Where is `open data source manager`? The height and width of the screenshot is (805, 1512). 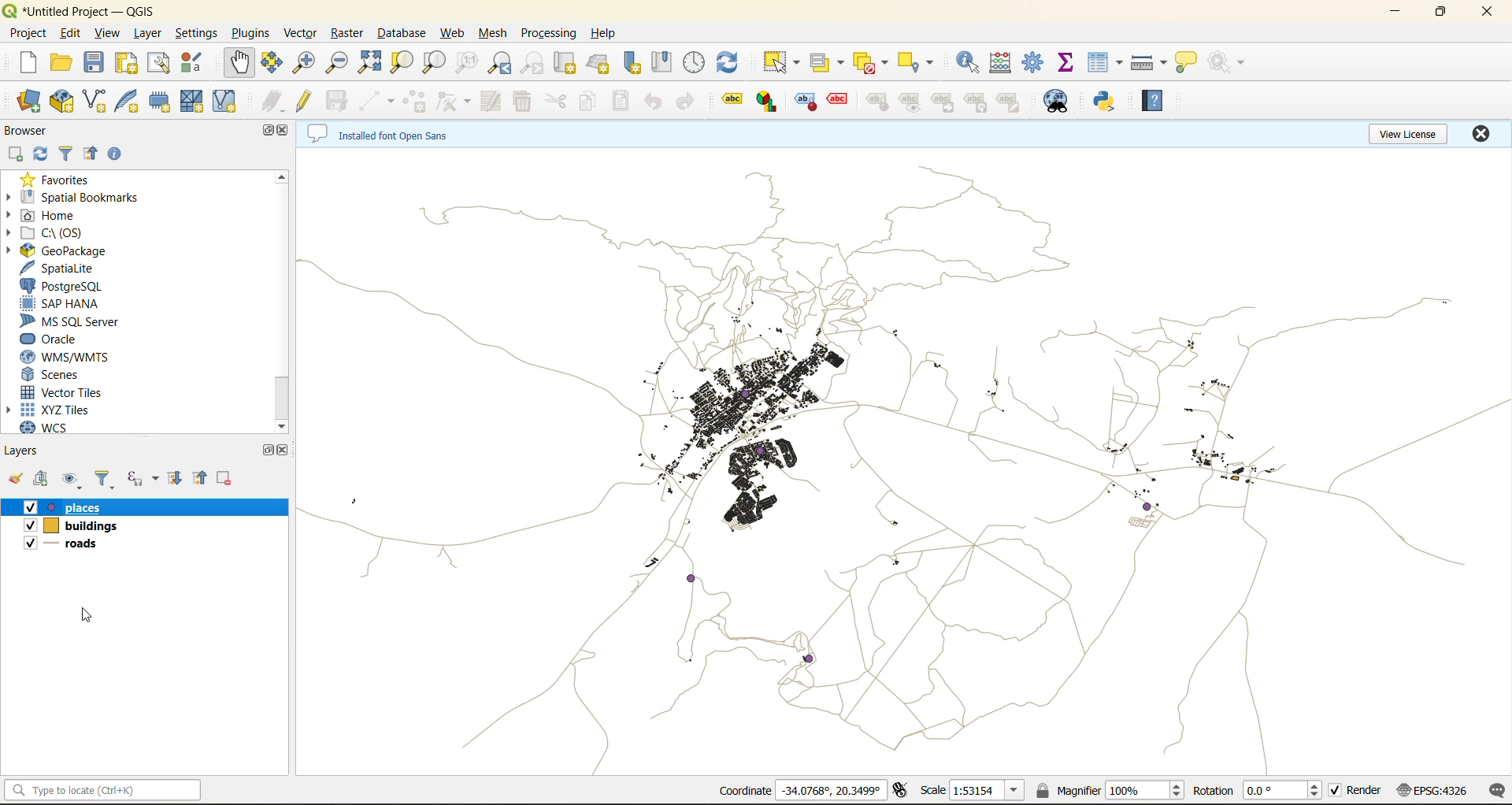
open data source manager is located at coordinates (28, 102).